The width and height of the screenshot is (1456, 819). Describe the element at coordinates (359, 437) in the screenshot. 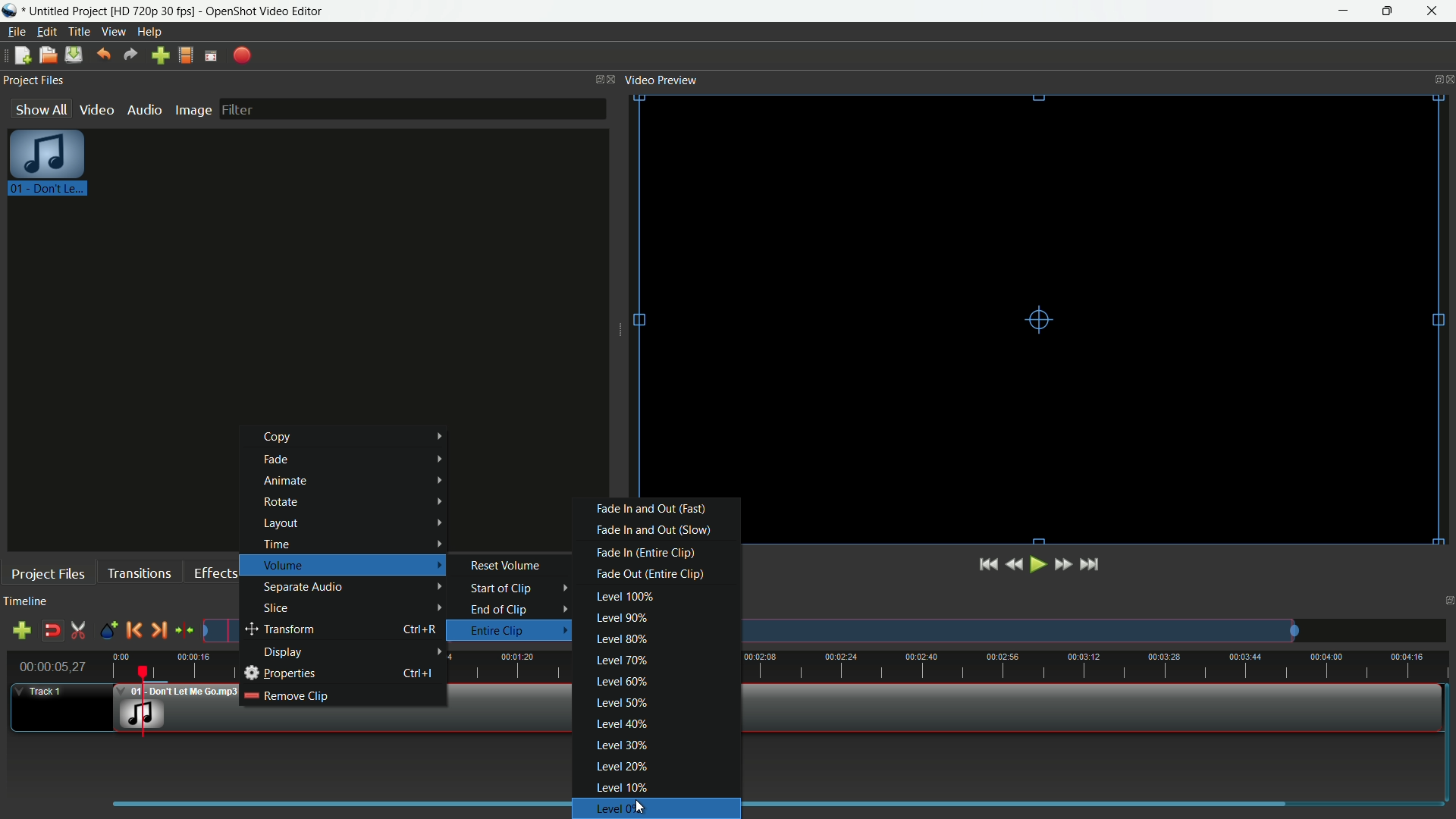

I see `copy` at that location.